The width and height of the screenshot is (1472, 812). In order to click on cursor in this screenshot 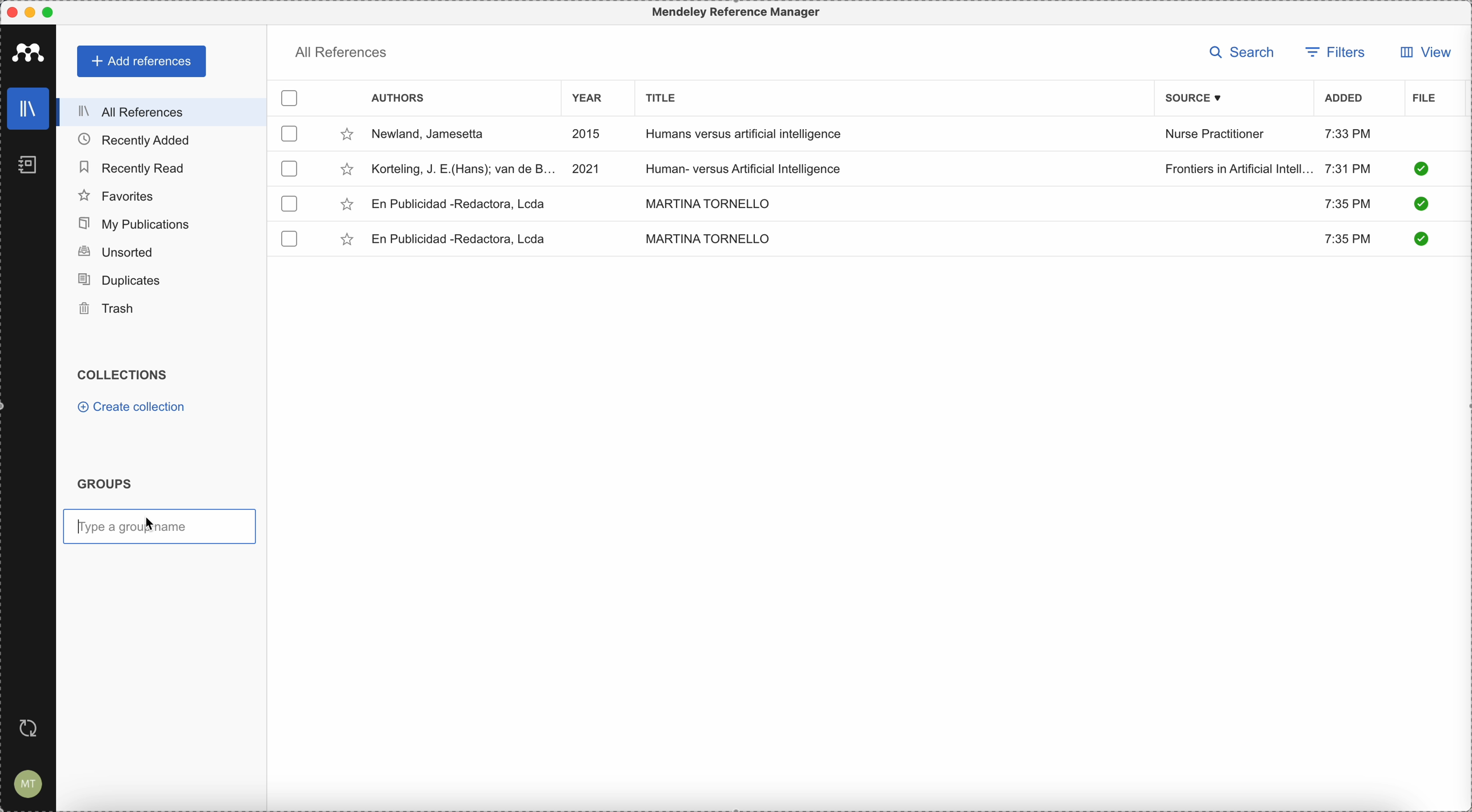, I will do `click(152, 522)`.